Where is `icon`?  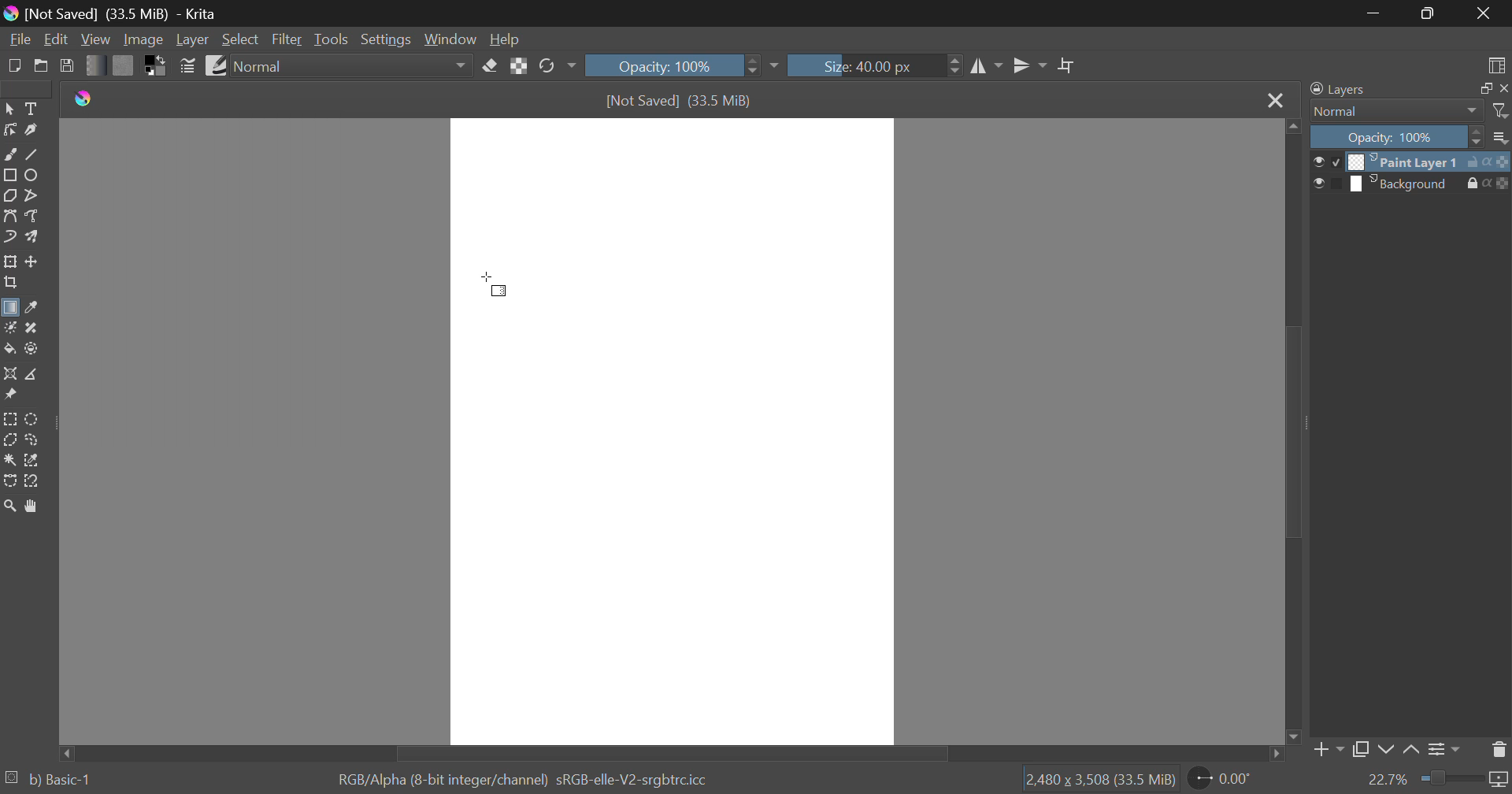 icon is located at coordinates (1499, 161).